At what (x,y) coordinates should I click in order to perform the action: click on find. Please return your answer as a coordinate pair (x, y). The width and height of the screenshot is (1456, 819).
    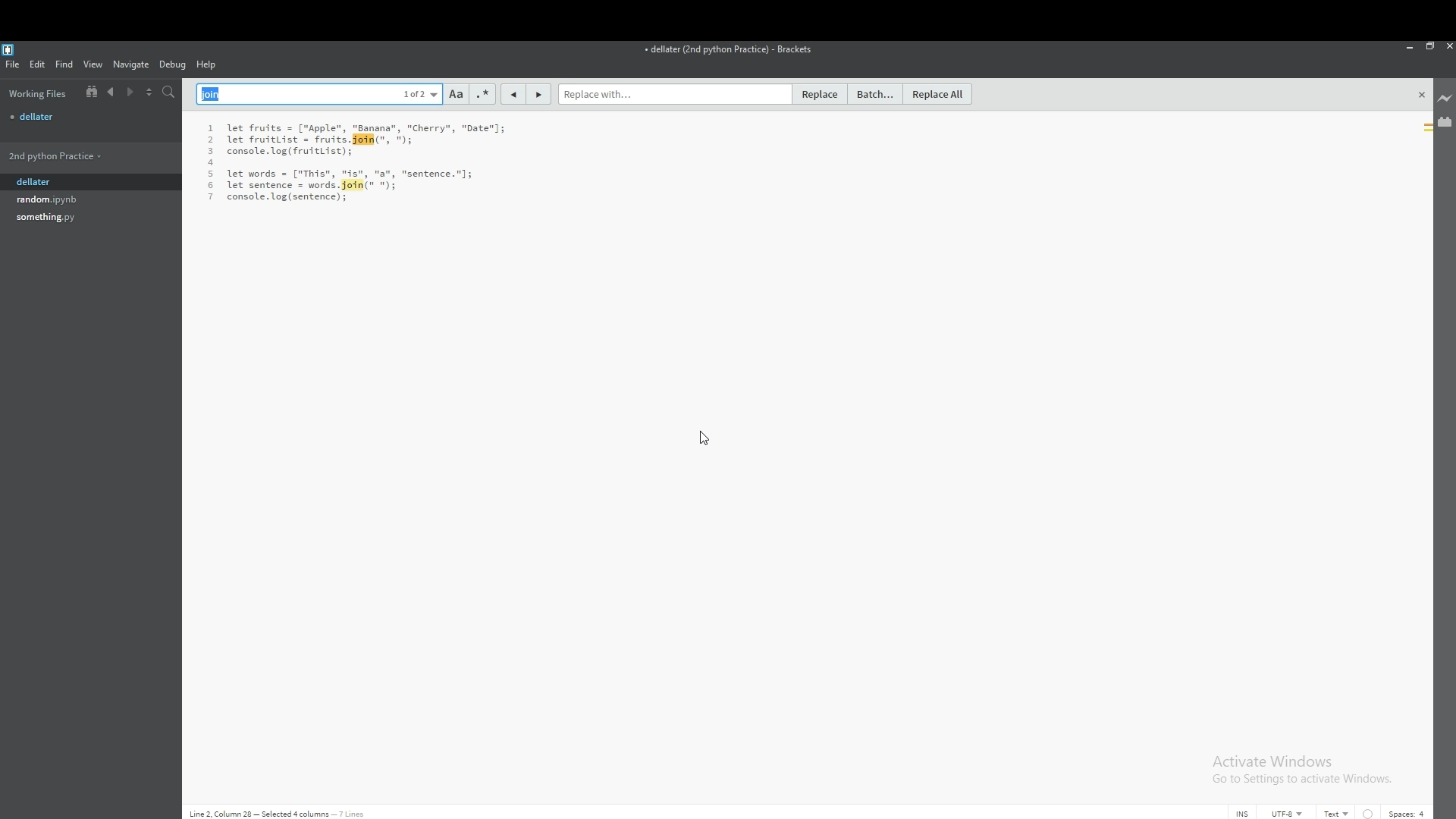
    Looking at the image, I should click on (65, 64).